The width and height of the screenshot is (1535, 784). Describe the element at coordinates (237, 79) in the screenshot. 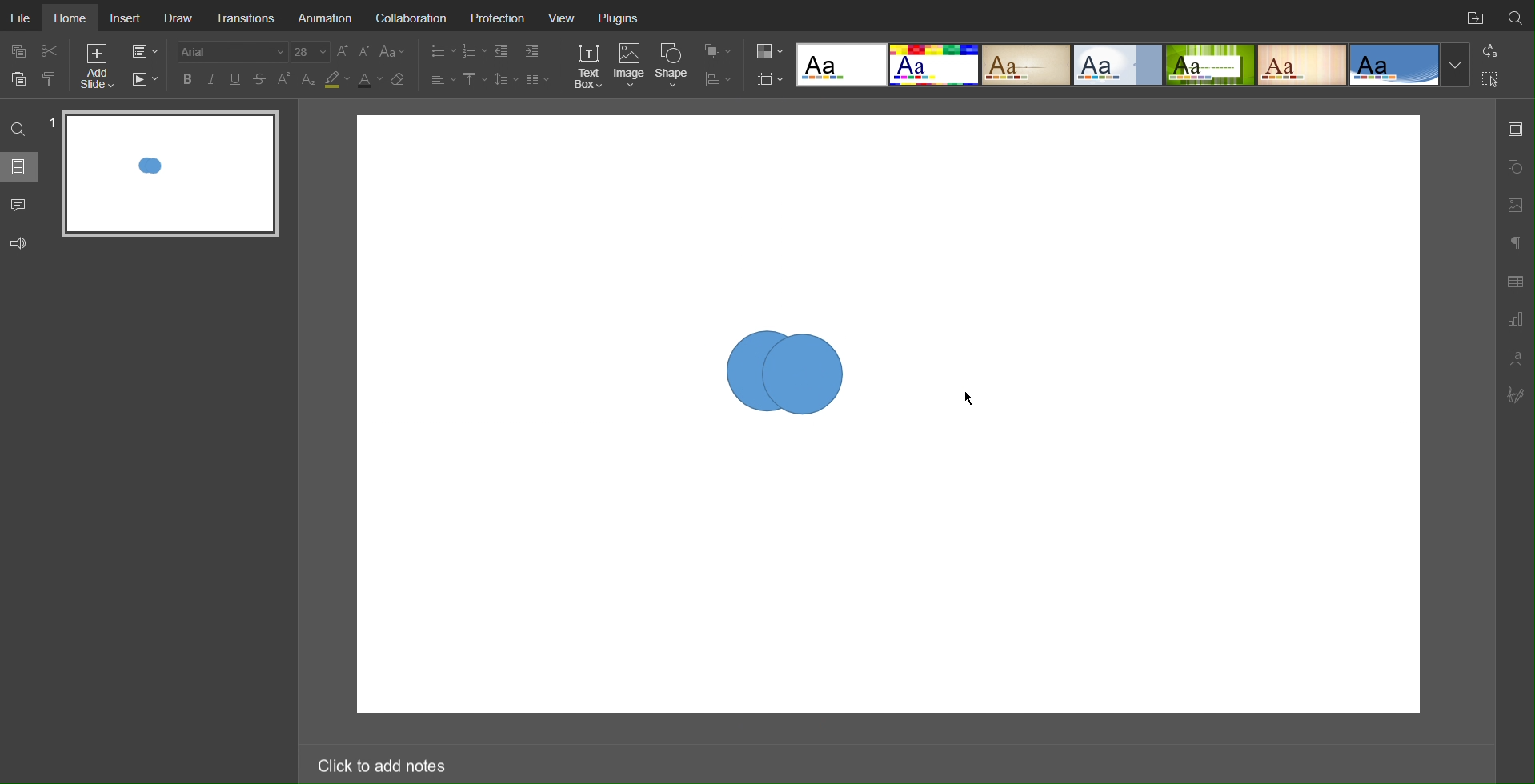

I see `Underline` at that location.